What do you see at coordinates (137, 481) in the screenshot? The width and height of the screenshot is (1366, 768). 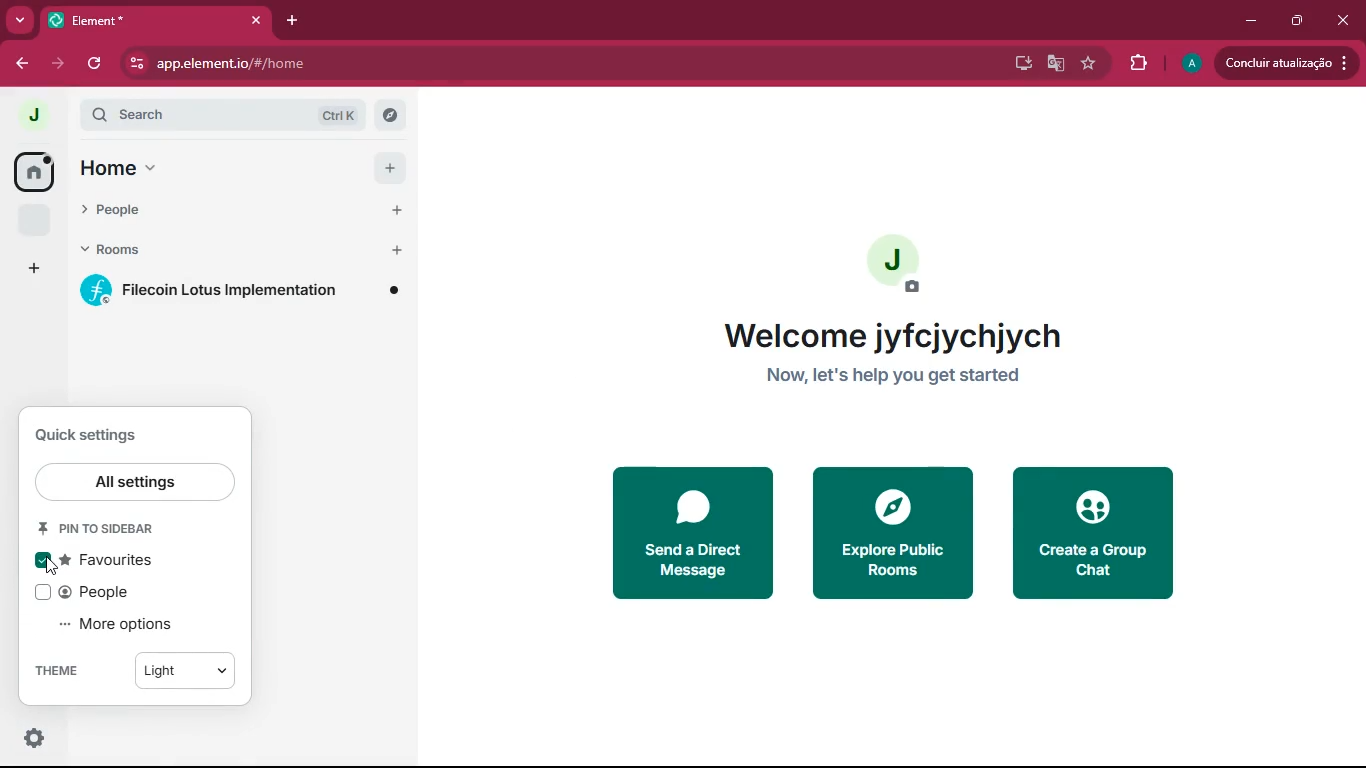 I see `all settings` at bounding box center [137, 481].